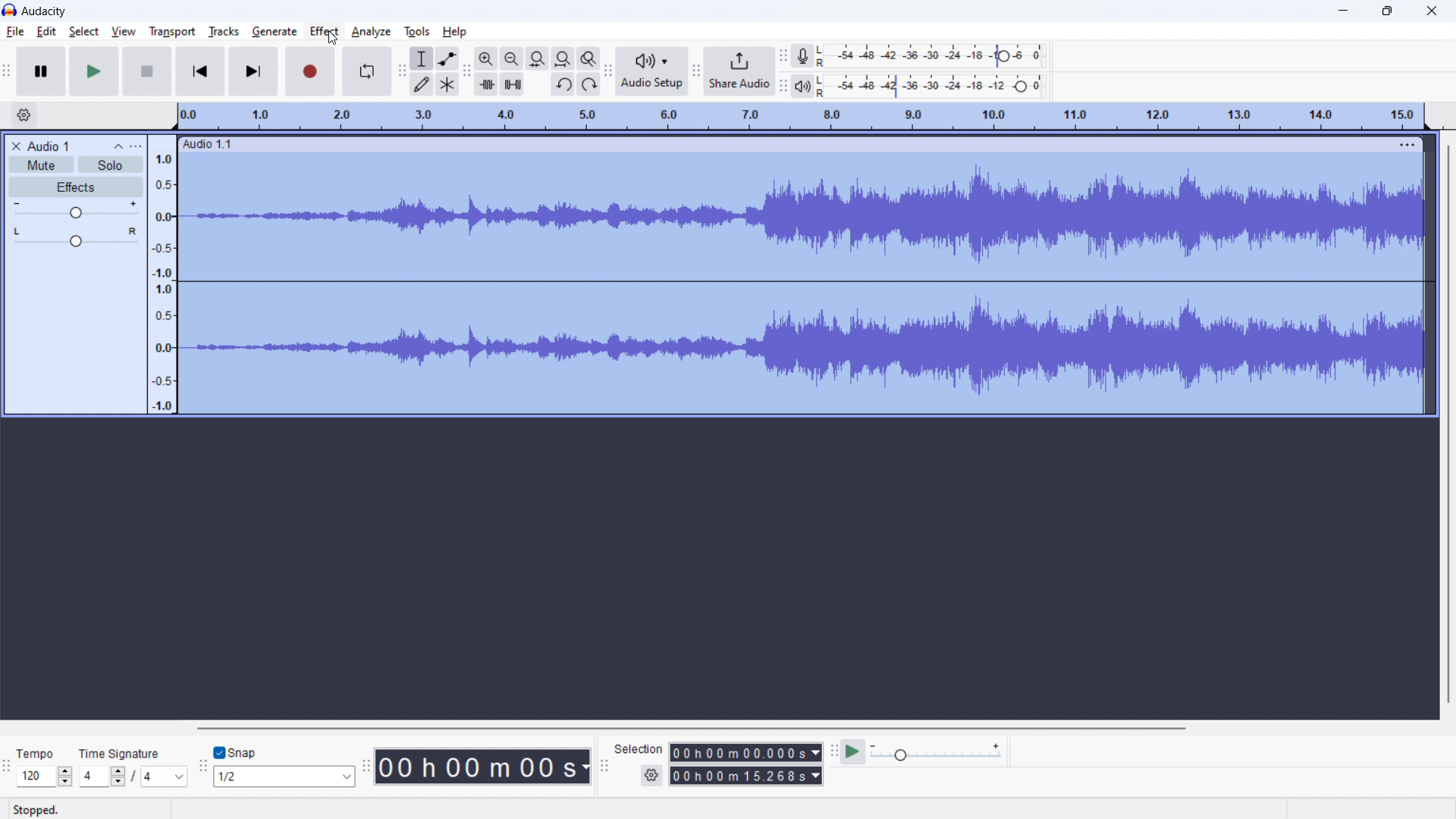  What do you see at coordinates (538, 58) in the screenshot?
I see `fit selection to width` at bounding box center [538, 58].